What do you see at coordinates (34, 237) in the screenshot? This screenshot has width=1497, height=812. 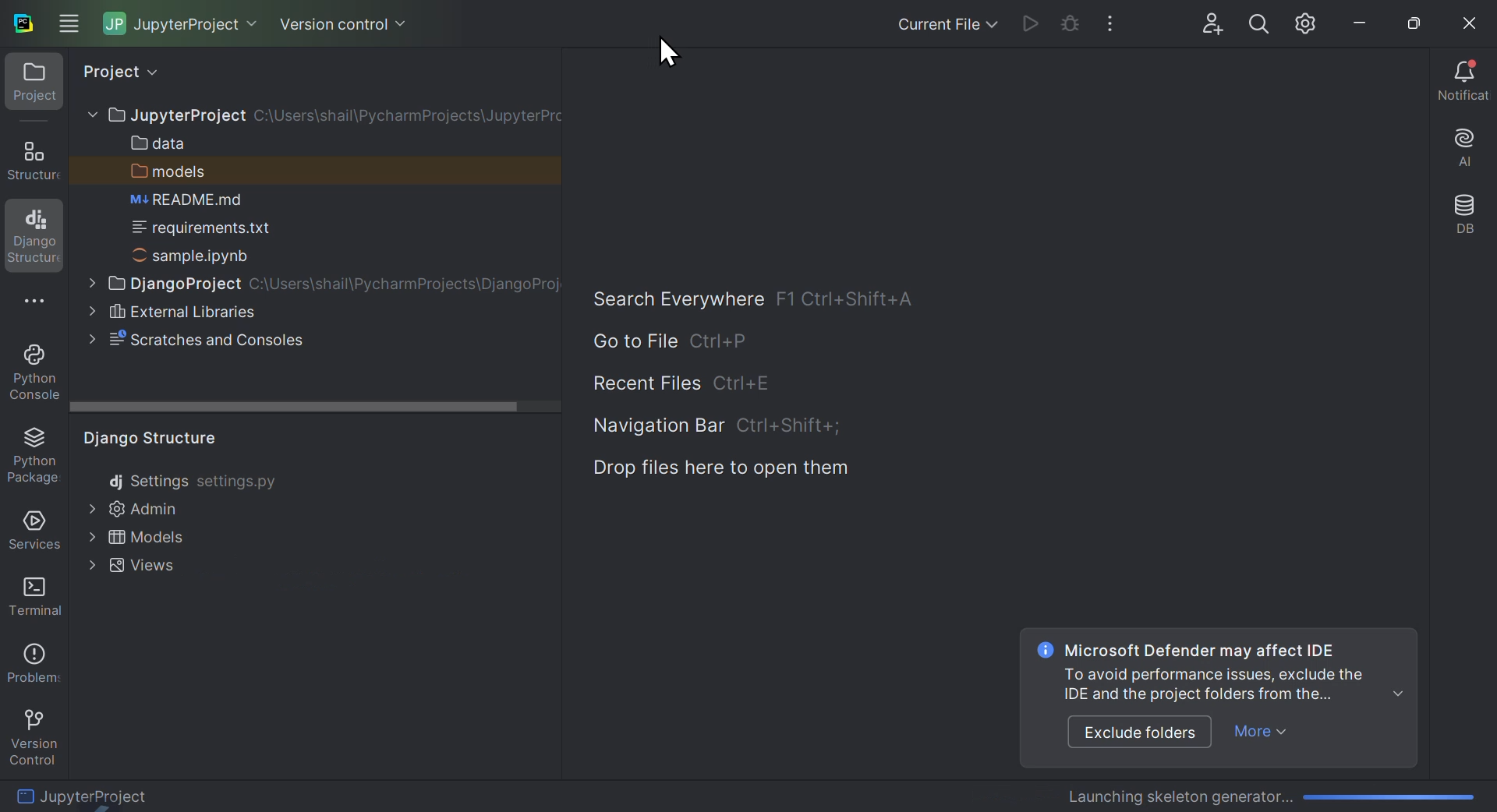 I see `structure` at bounding box center [34, 237].